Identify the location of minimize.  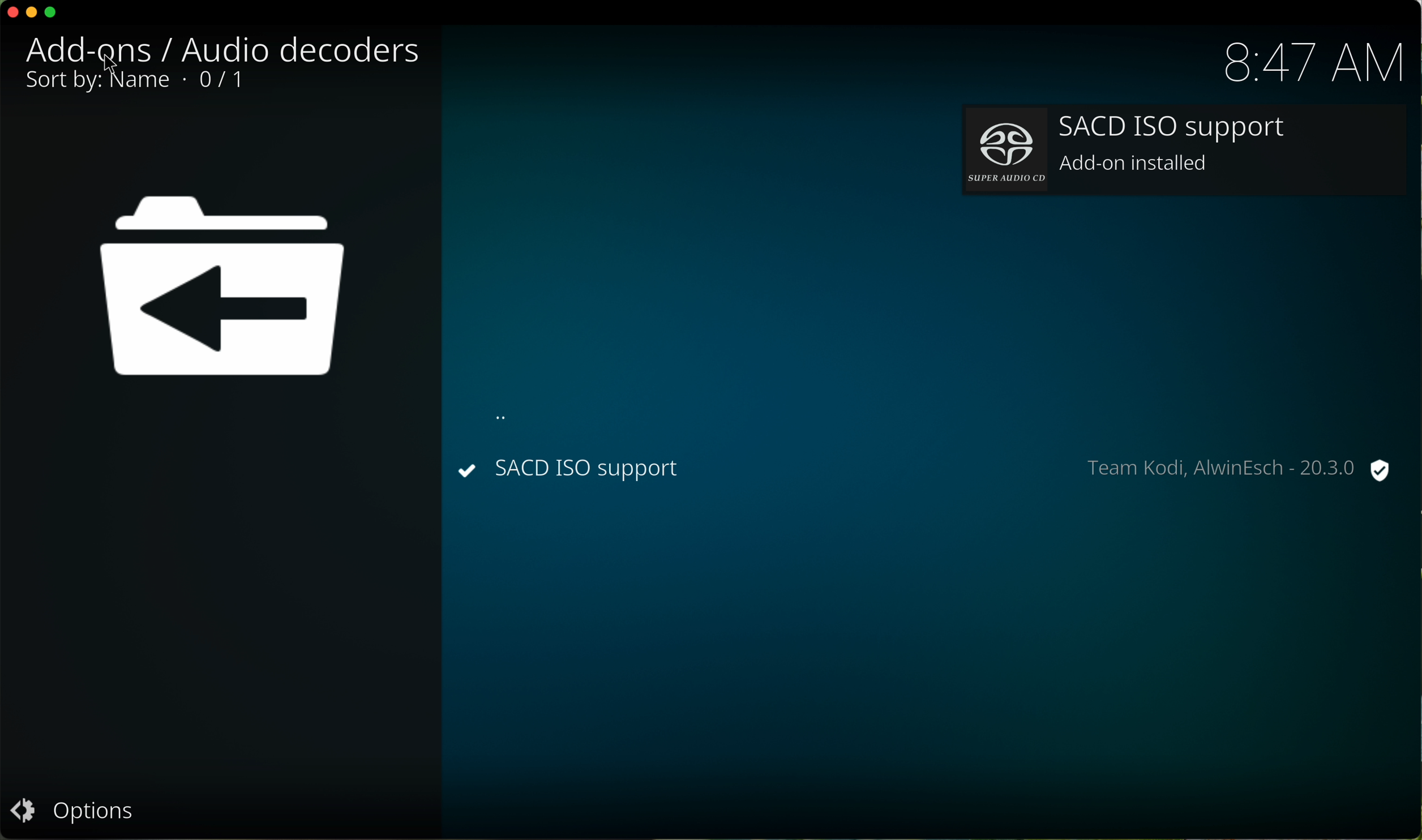
(33, 12).